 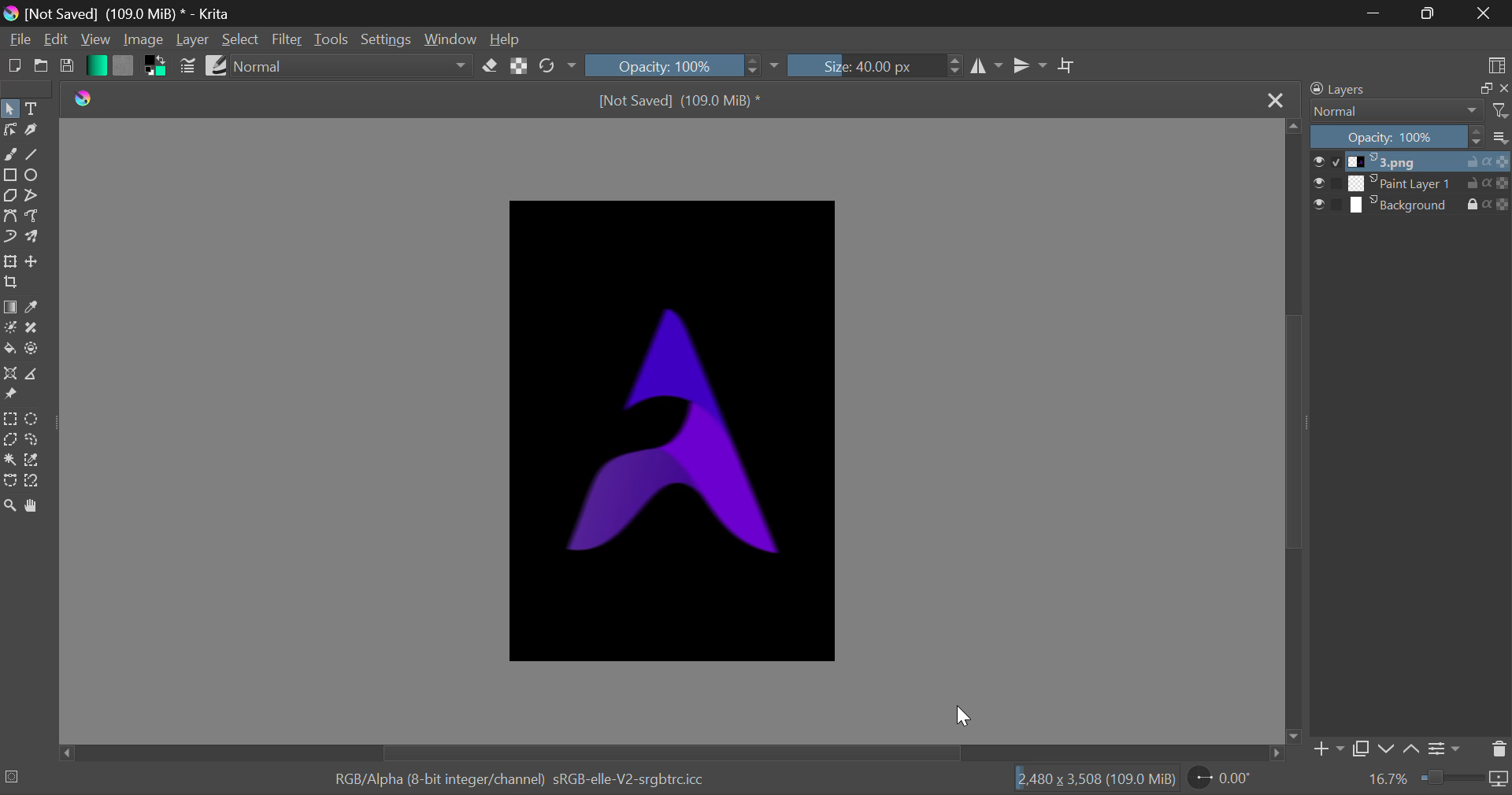 I want to click on Layer, so click(x=193, y=39).